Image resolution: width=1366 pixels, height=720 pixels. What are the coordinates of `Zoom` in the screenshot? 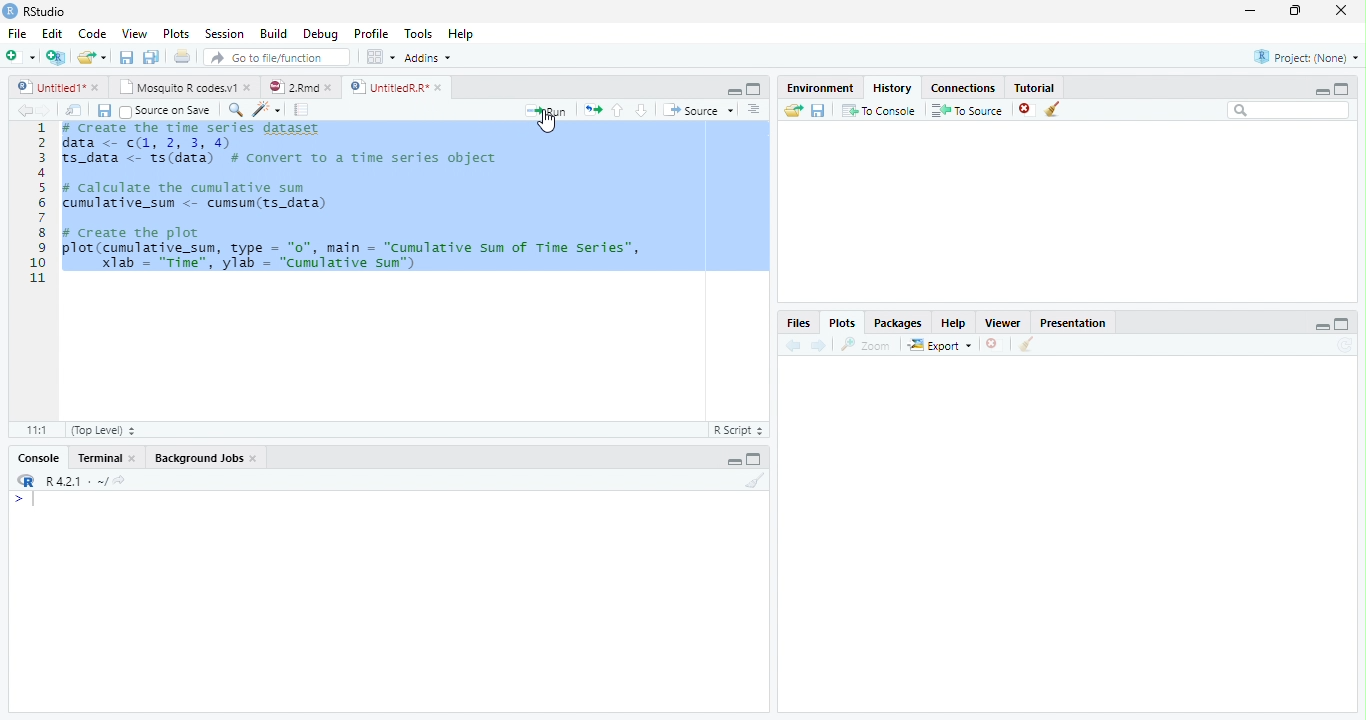 It's located at (237, 112).